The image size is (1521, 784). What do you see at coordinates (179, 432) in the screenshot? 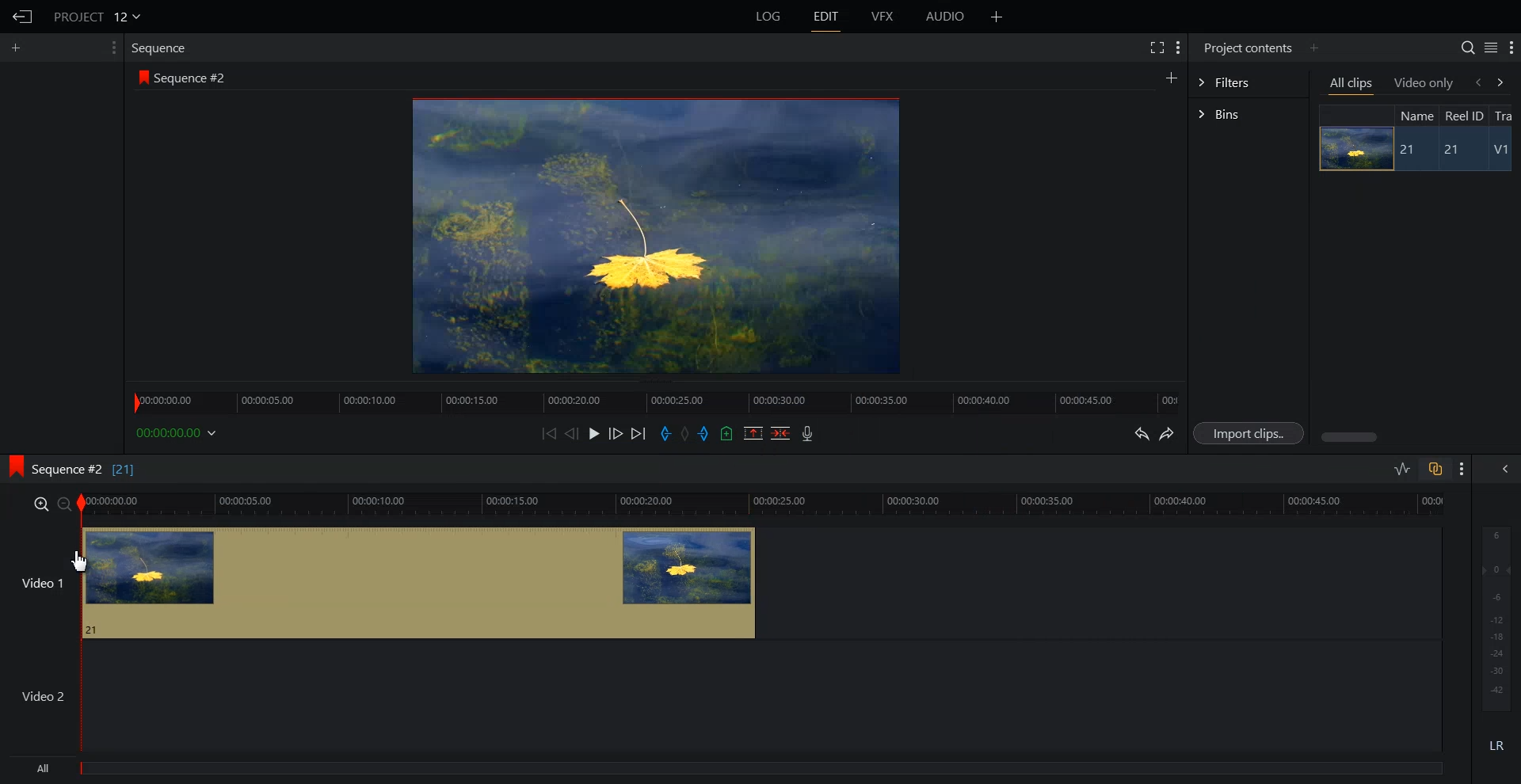
I see `00:00:00.00` at bounding box center [179, 432].